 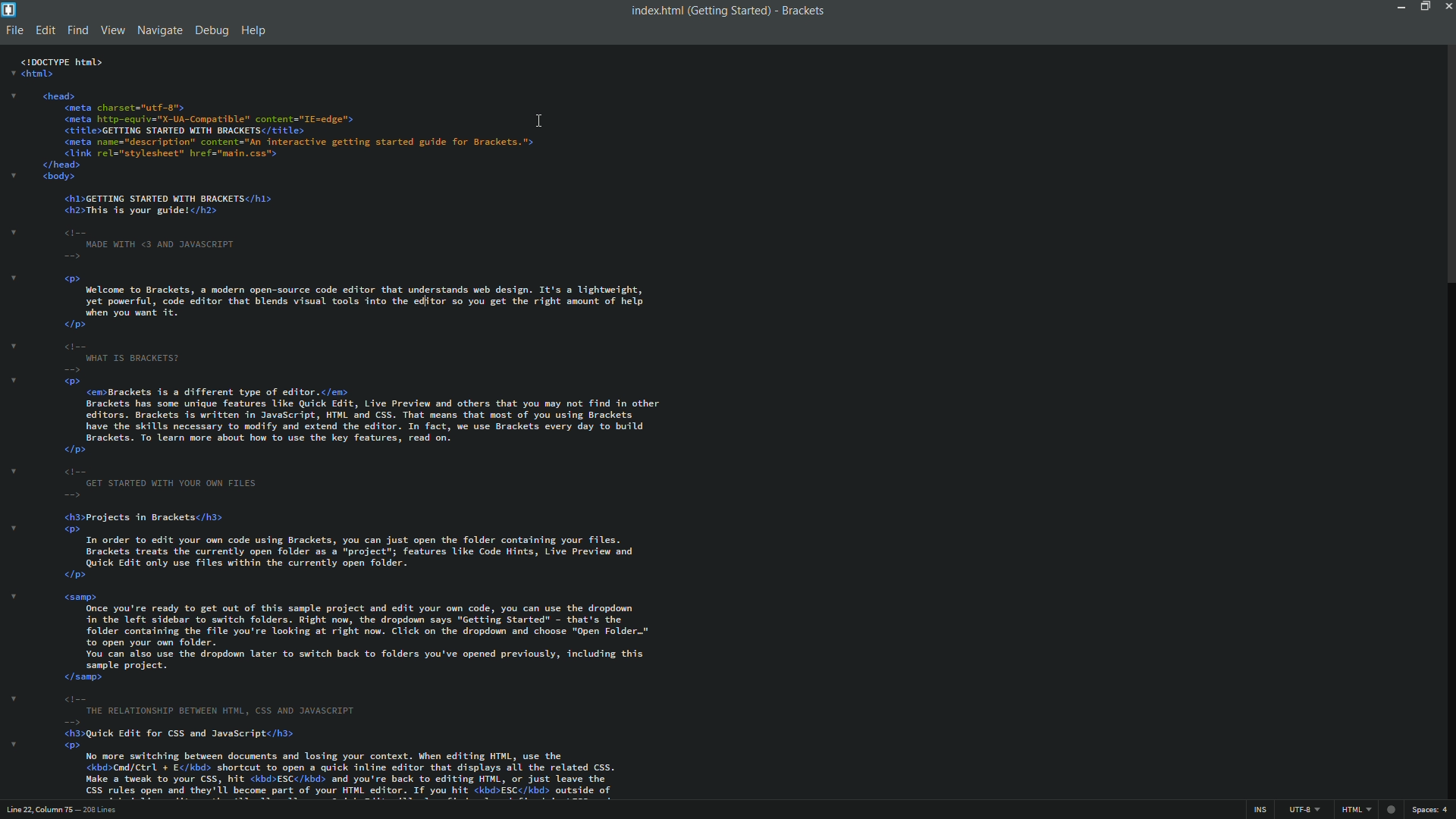 What do you see at coordinates (1356, 809) in the screenshot?
I see `HTML` at bounding box center [1356, 809].